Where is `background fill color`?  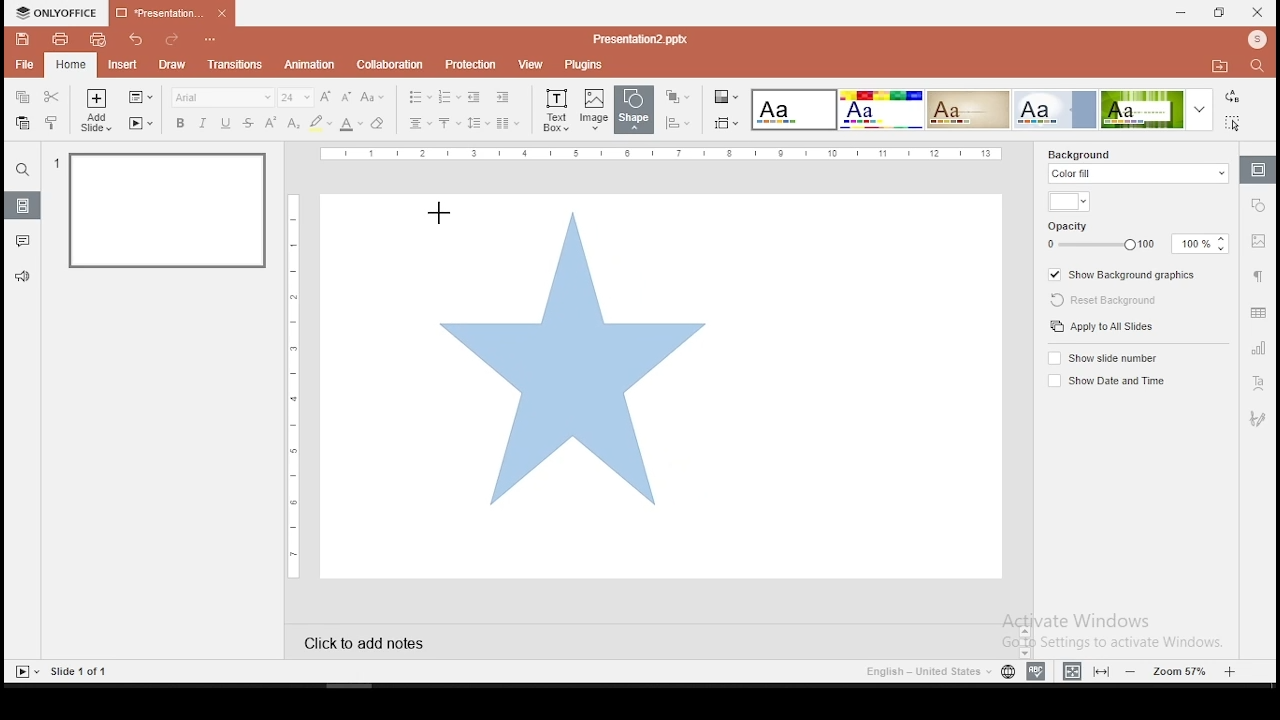
background fill color is located at coordinates (1068, 203).